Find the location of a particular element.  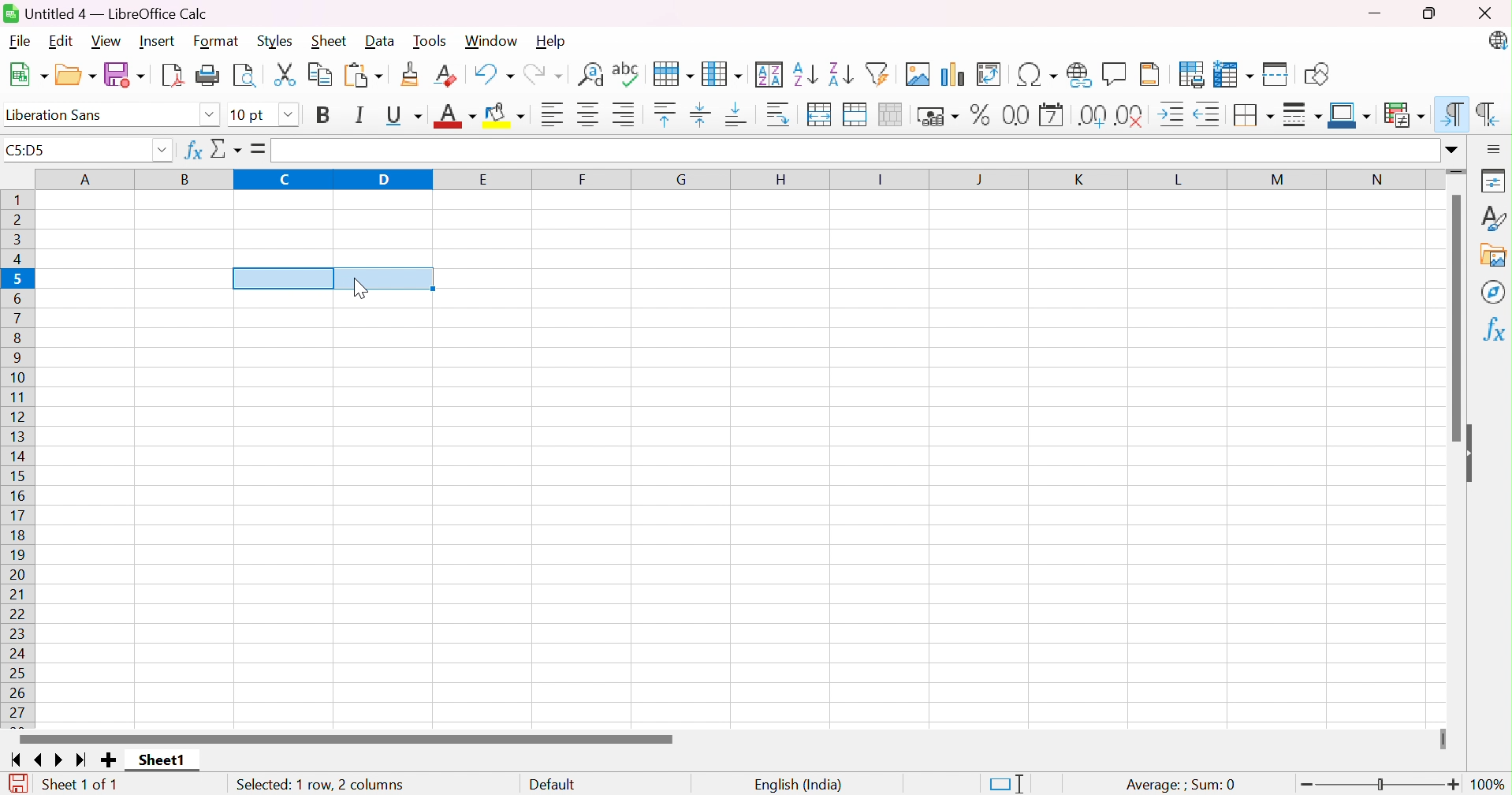

Decrease Indent is located at coordinates (1212, 113).